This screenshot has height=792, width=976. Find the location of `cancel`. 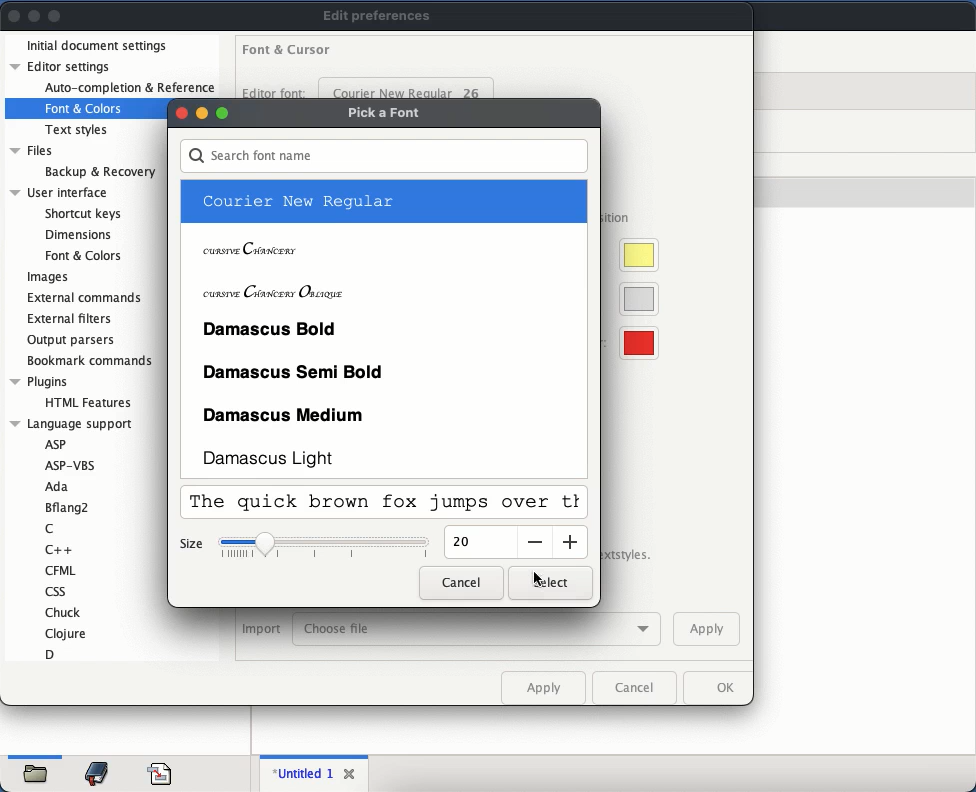

cancel is located at coordinates (638, 690).